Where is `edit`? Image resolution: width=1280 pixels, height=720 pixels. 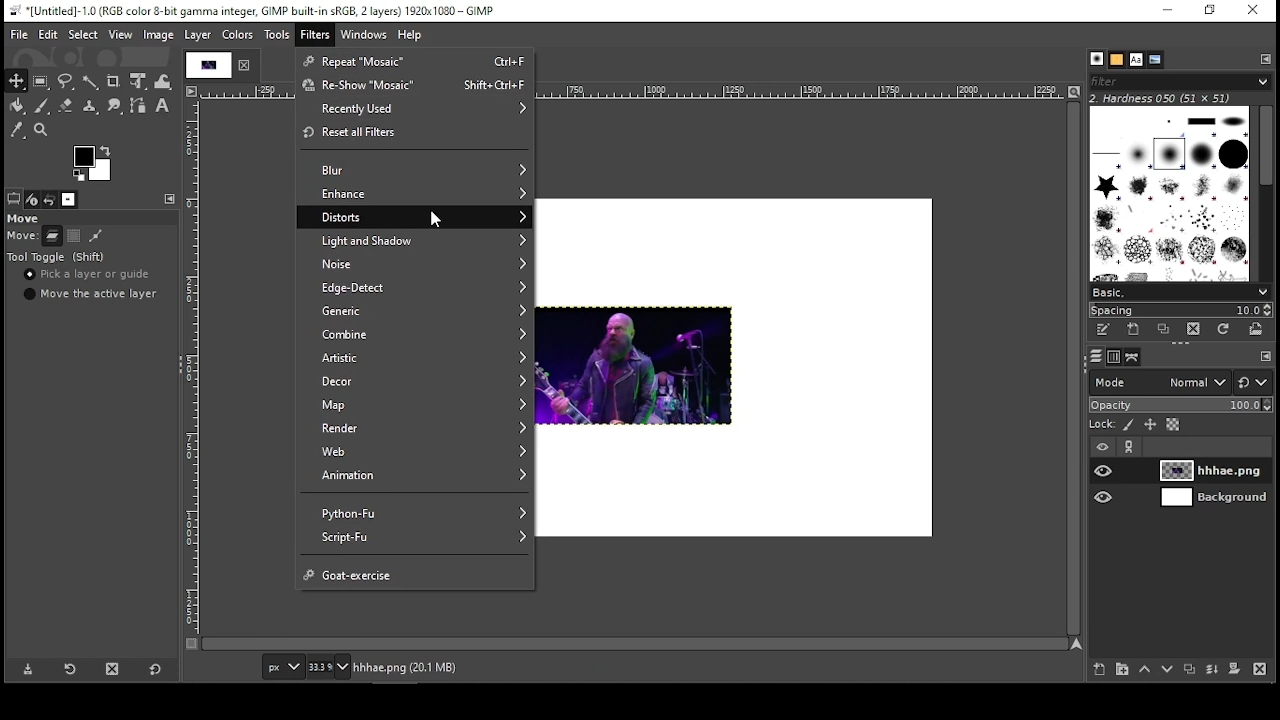 edit is located at coordinates (48, 34).